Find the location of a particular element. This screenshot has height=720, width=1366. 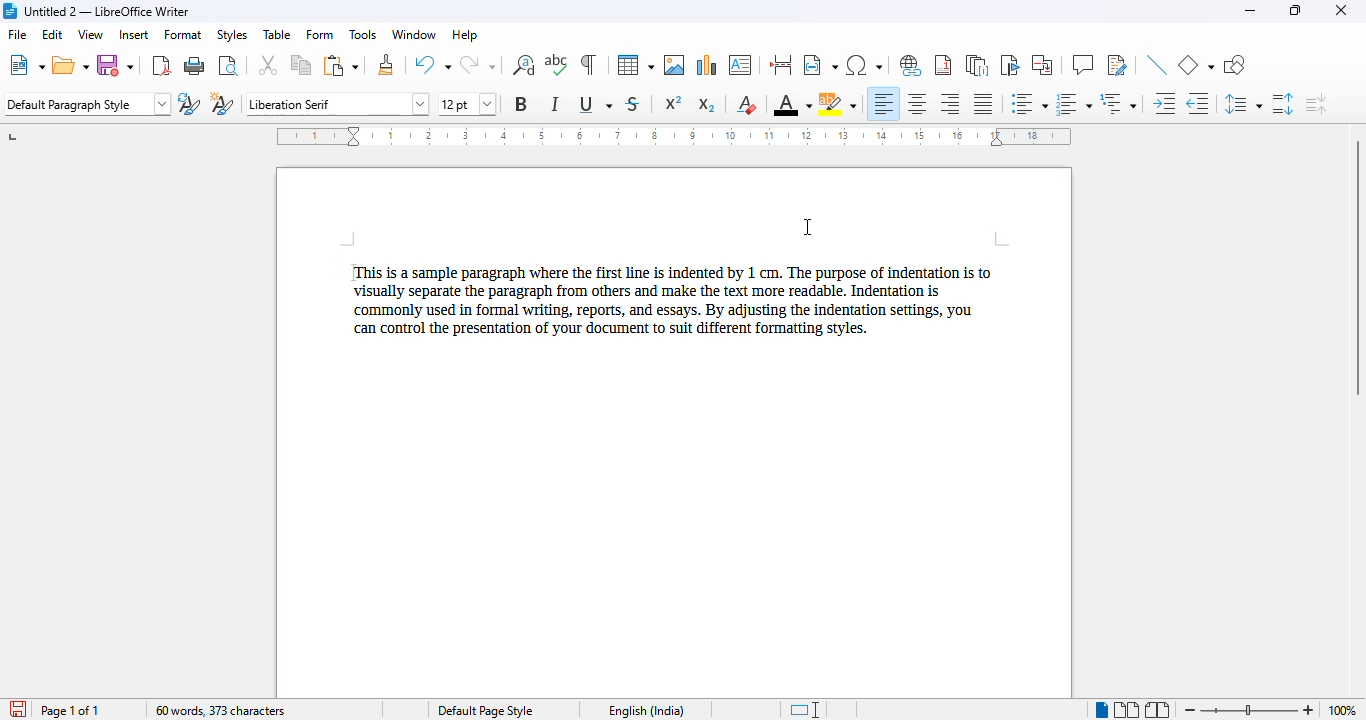

toggle print preview is located at coordinates (229, 65).